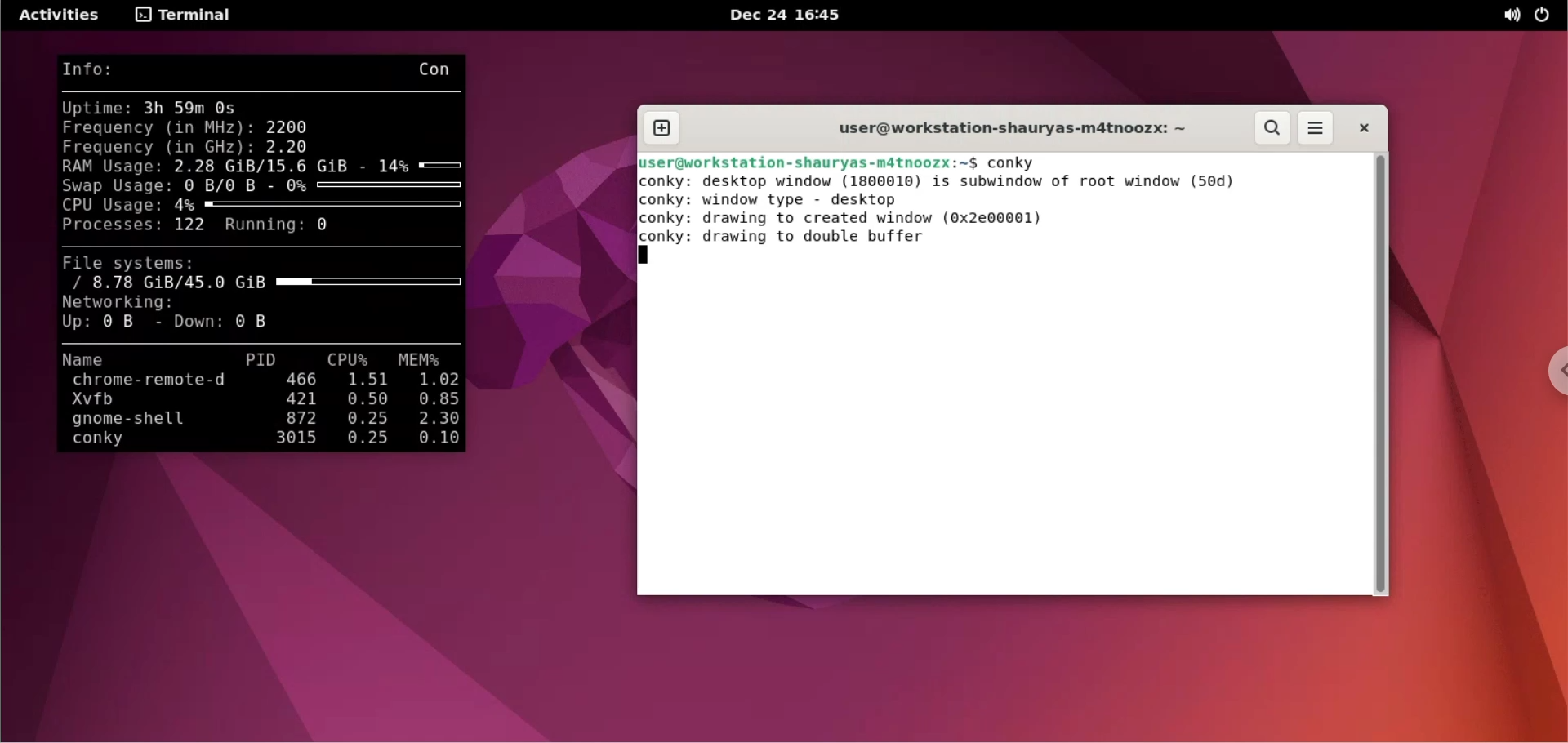  I want to click on mem%, so click(423, 360).